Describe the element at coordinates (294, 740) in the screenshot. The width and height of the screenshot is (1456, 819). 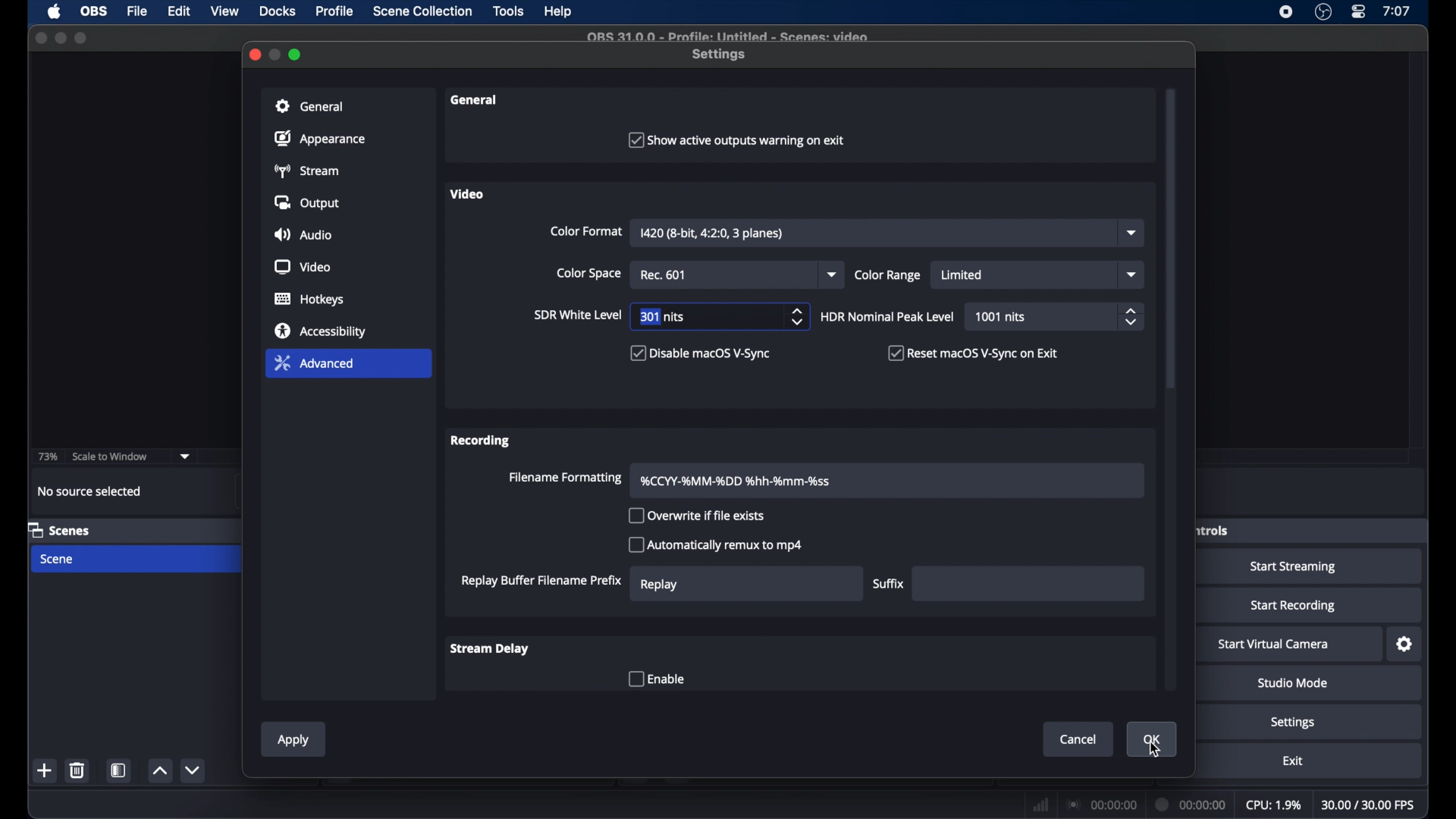
I see `apply` at that location.